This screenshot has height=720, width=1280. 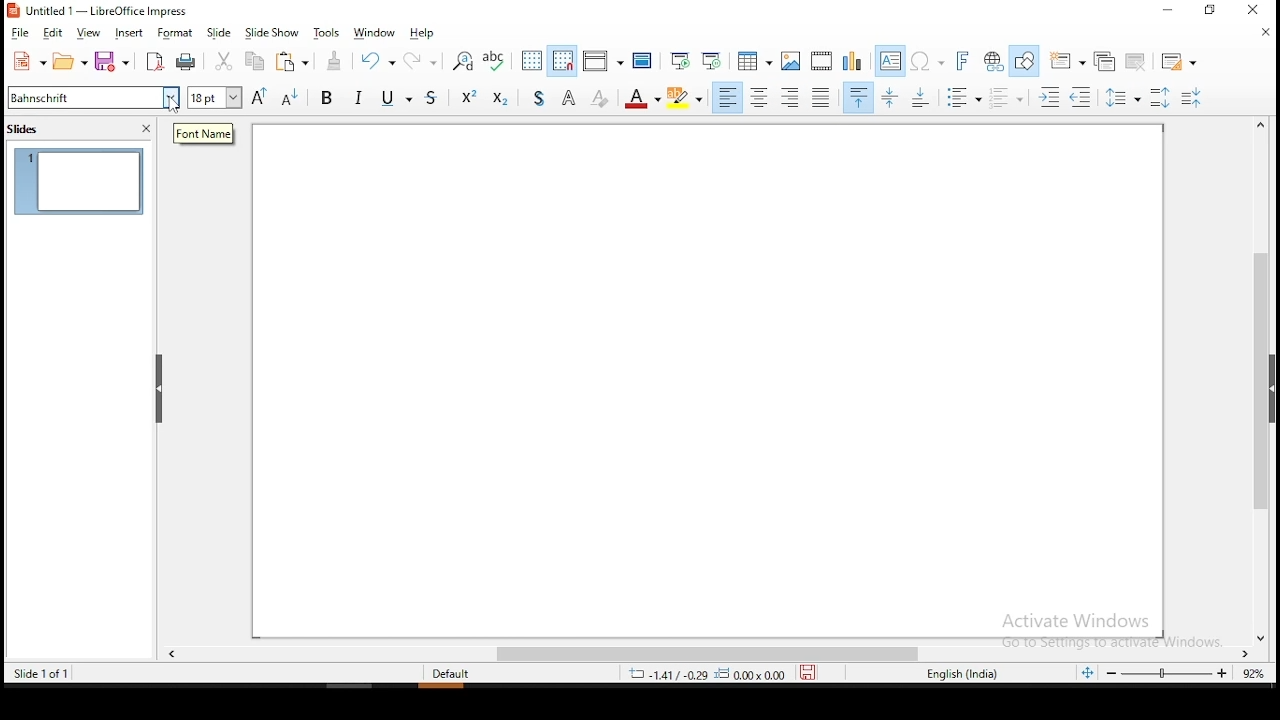 What do you see at coordinates (760, 98) in the screenshot?
I see `align center` at bounding box center [760, 98].